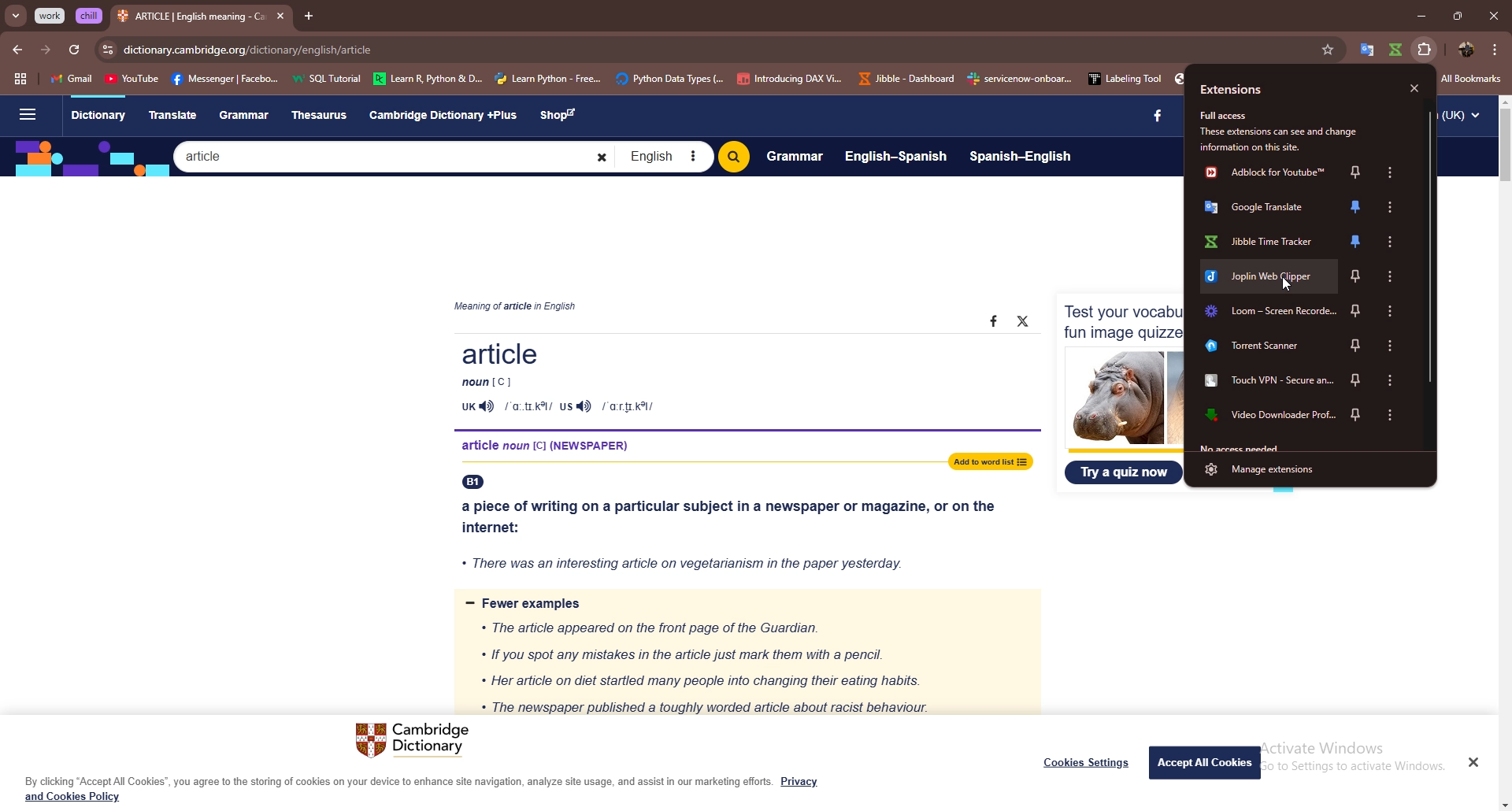 This screenshot has height=811, width=1512. Describe the element at coordinates (664, 157) in the screenshot. I see `English  ` at that location.